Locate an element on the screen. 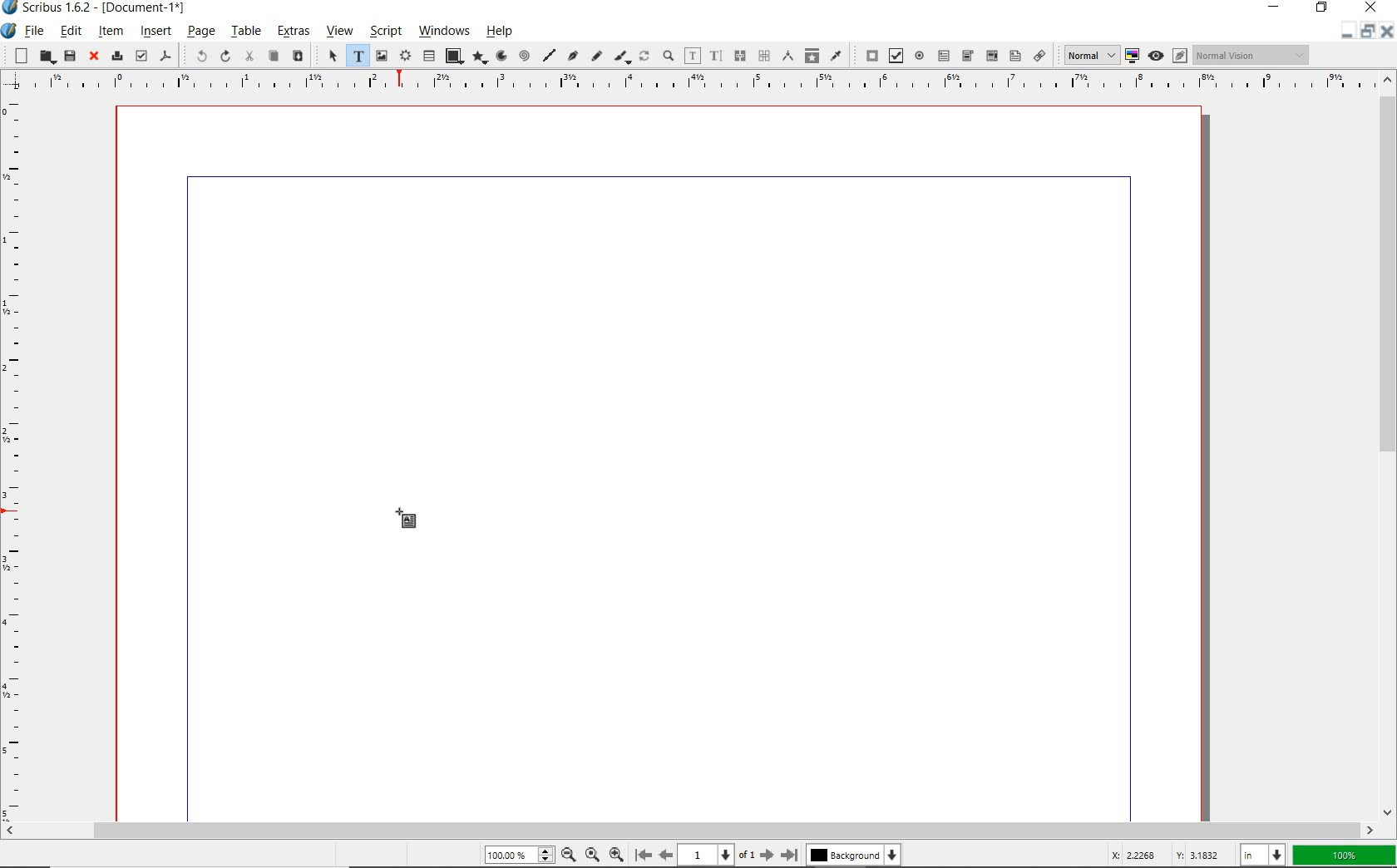  Minimize is located at coordinates (1366, 32).